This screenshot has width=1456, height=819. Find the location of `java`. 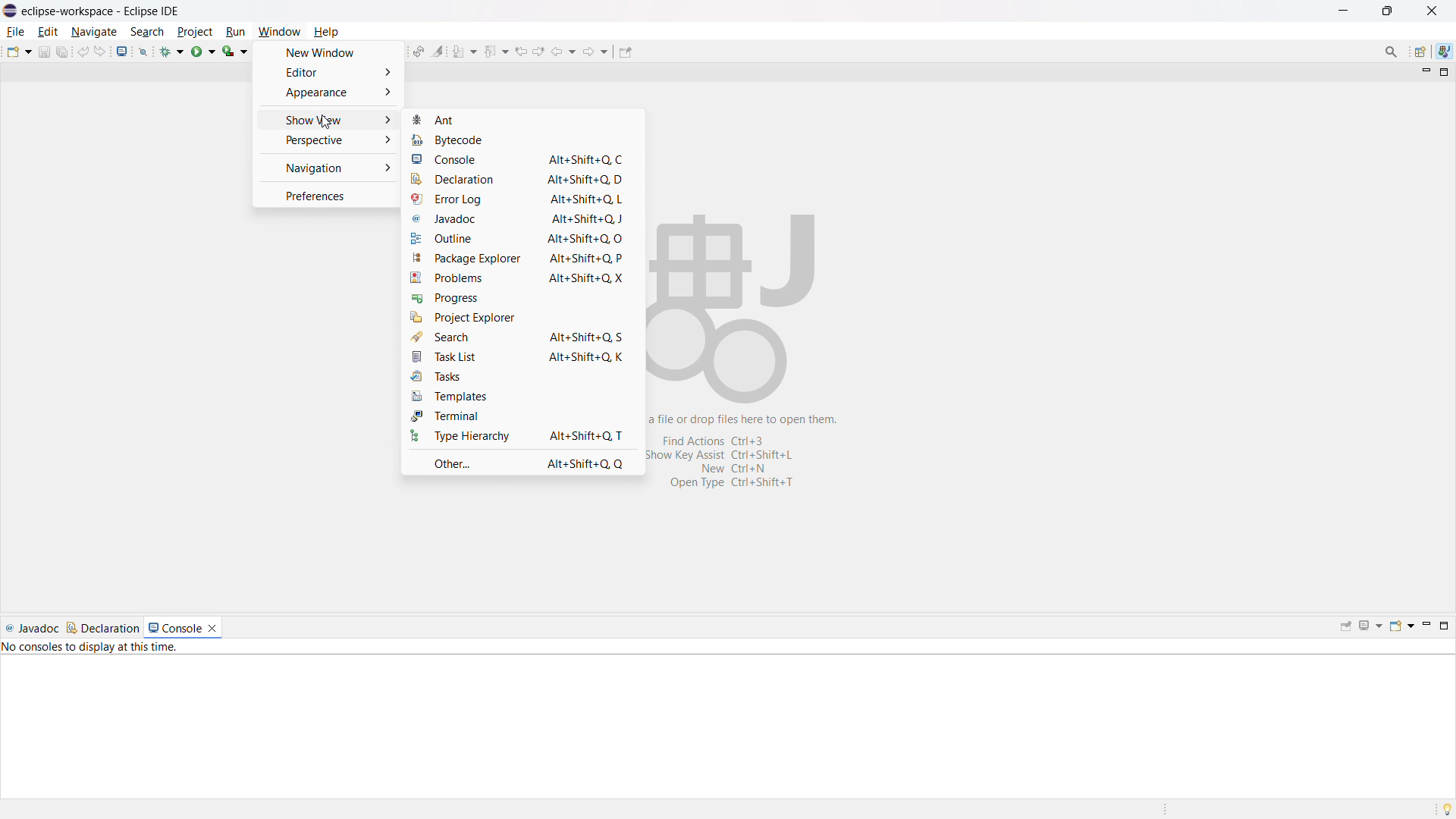

java is located at coordinates (1445, 50).